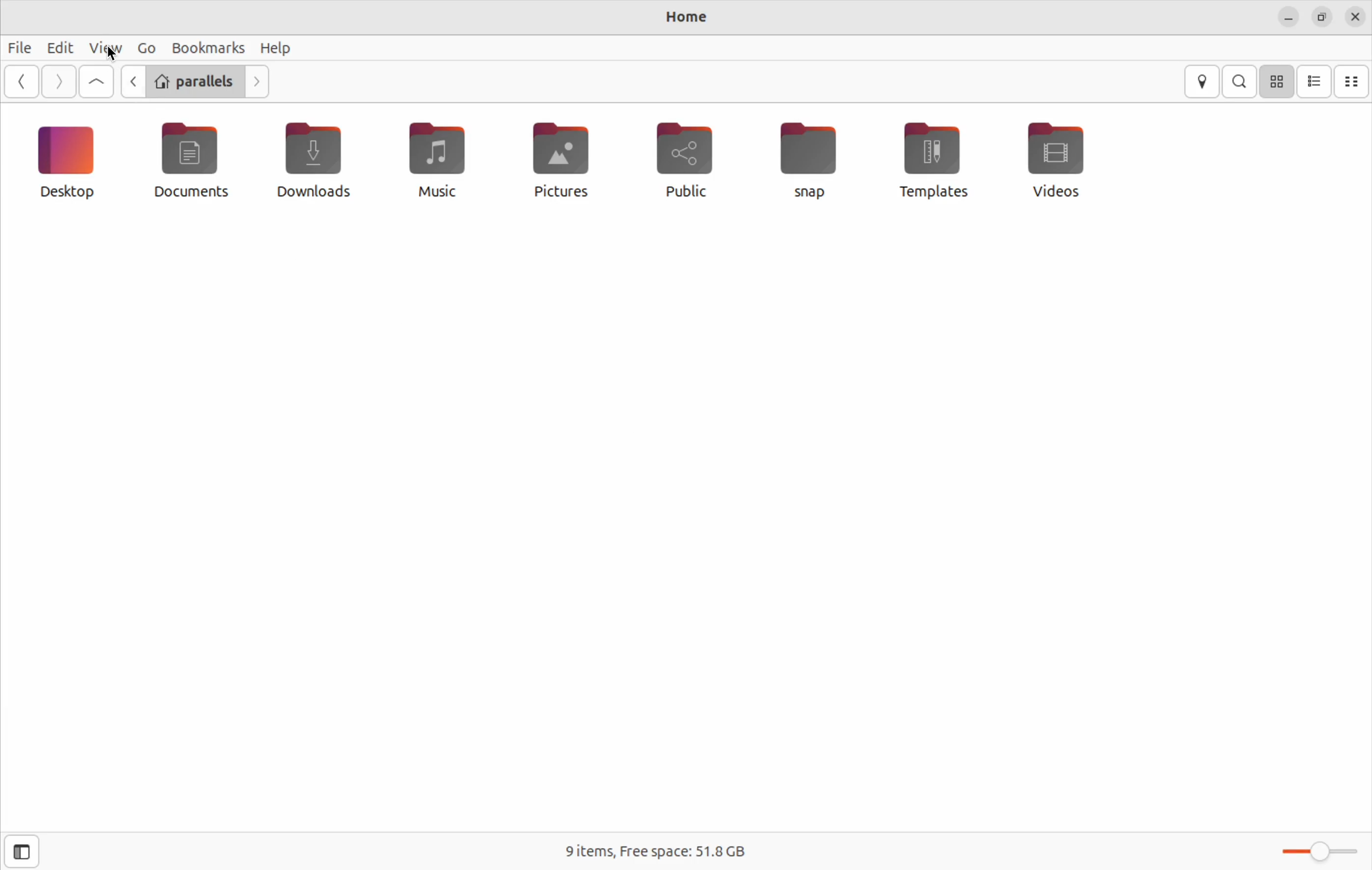  What do you see at coordinates (59, 47) in the screenshot?
I see `Edit` at bounding box center [59, 47].